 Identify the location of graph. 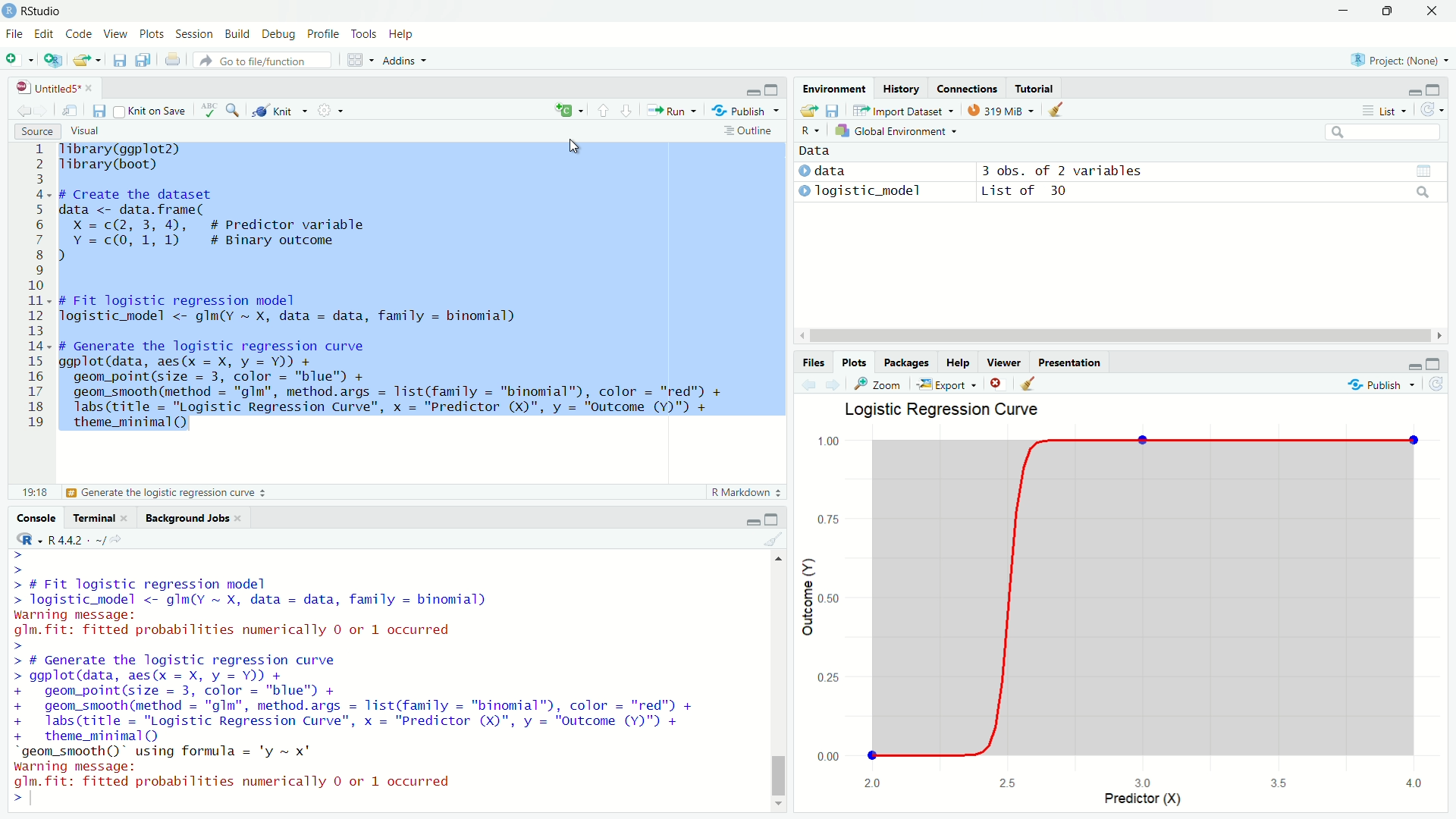
(1126, 607).